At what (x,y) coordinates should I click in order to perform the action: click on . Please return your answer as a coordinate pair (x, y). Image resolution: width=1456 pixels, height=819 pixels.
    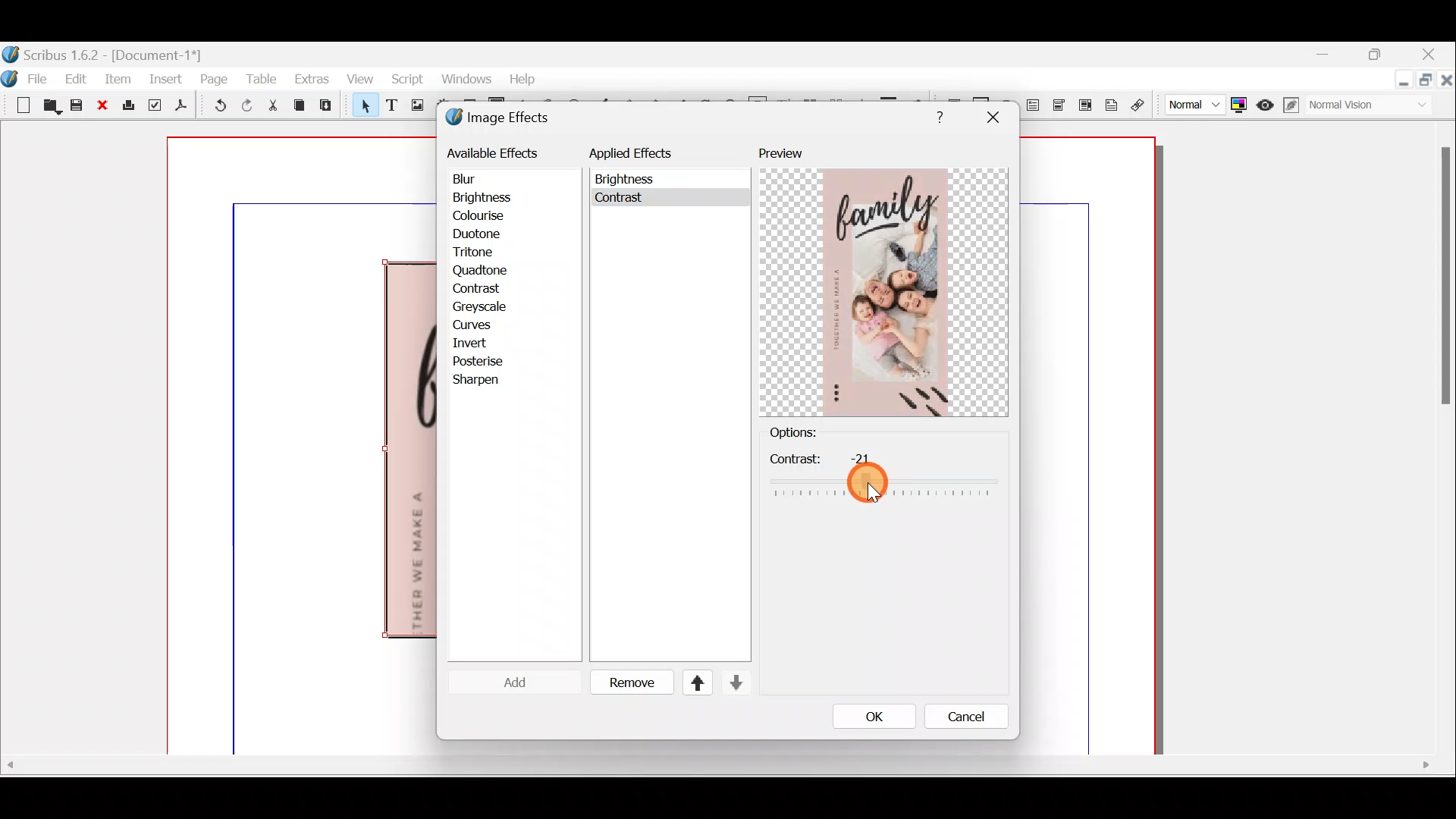
    Looking at the image, I should click on (936, 115).